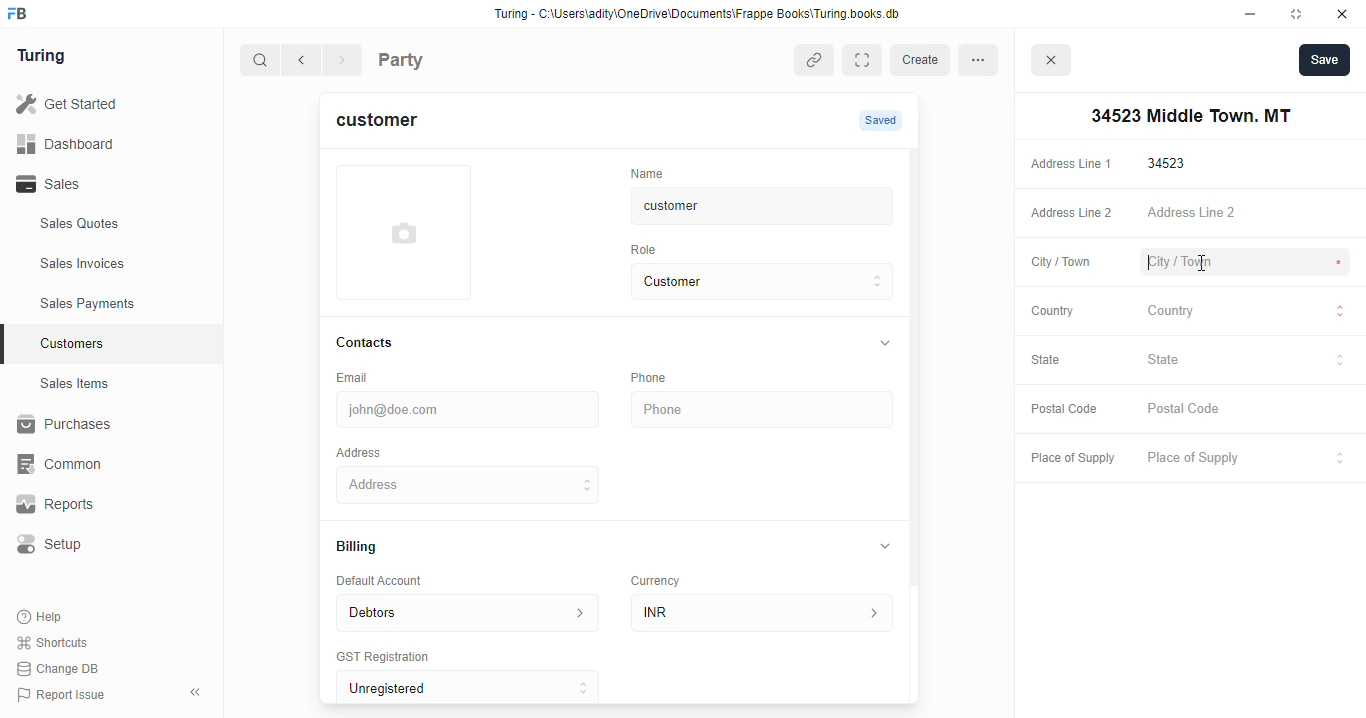  What do you see at coordinates (660, 377) in the screenshot?
I see `Phone` at bounding box center [660, 377].